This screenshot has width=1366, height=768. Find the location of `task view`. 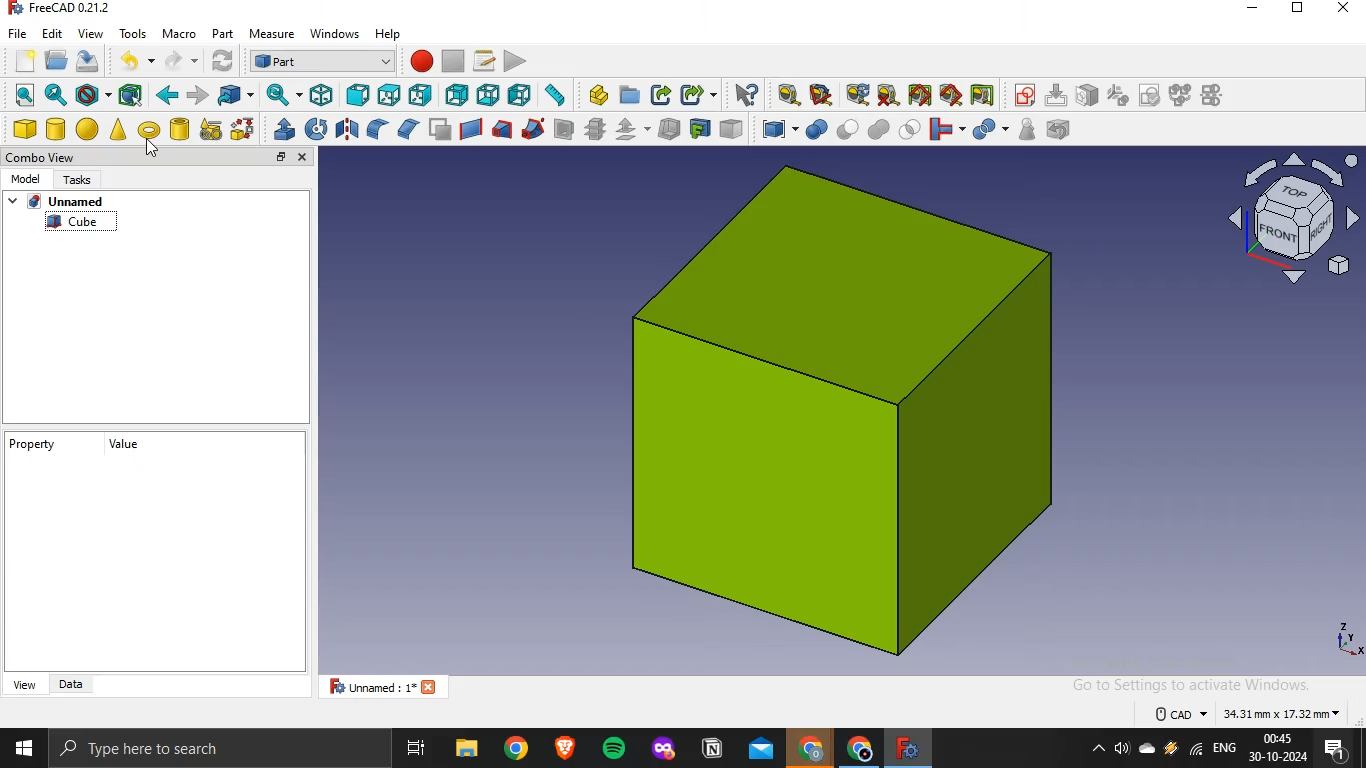

task view is located at coordinates (420, 749).